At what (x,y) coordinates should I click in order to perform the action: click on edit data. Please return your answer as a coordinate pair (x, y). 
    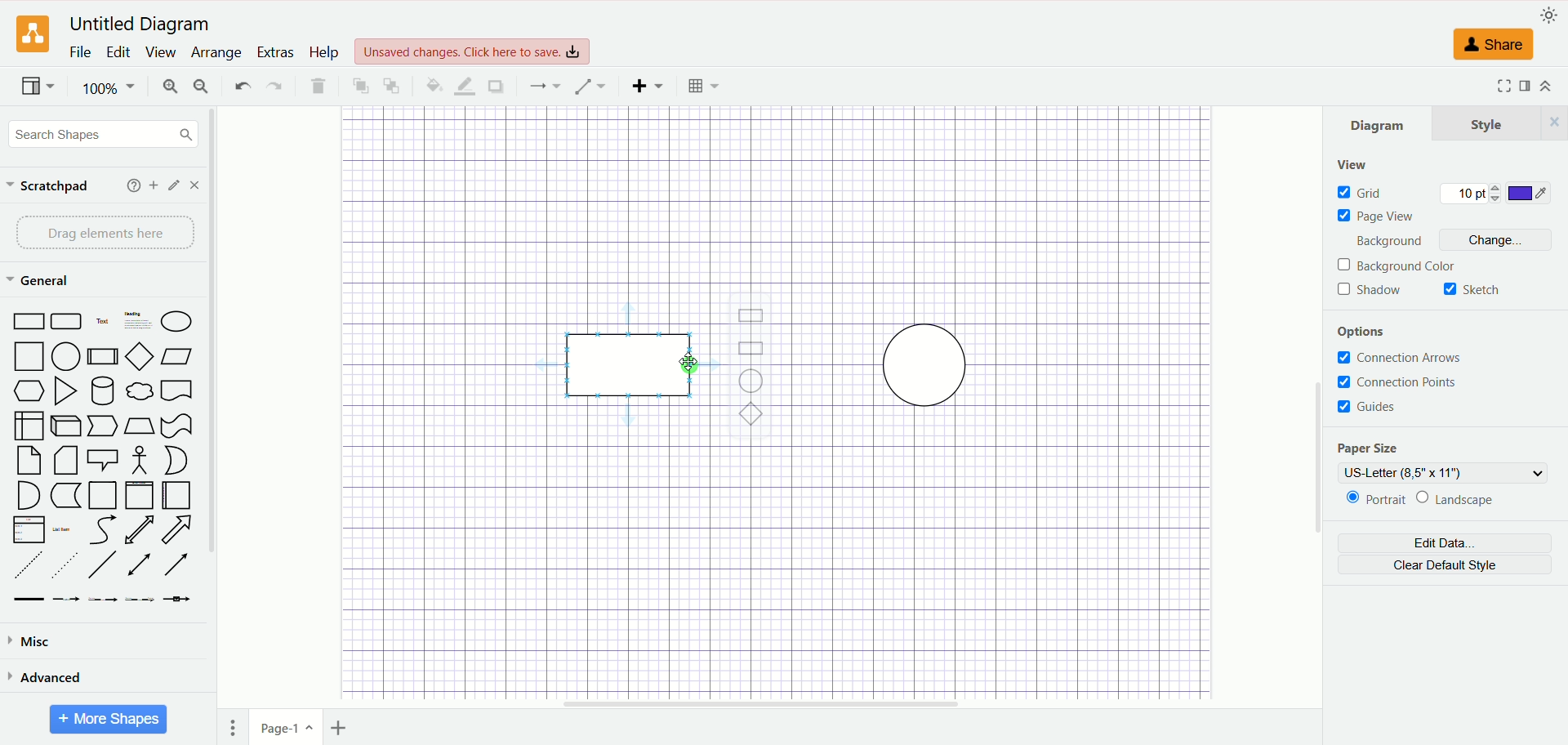
    Looking at the image, I should click on (1447, 542).